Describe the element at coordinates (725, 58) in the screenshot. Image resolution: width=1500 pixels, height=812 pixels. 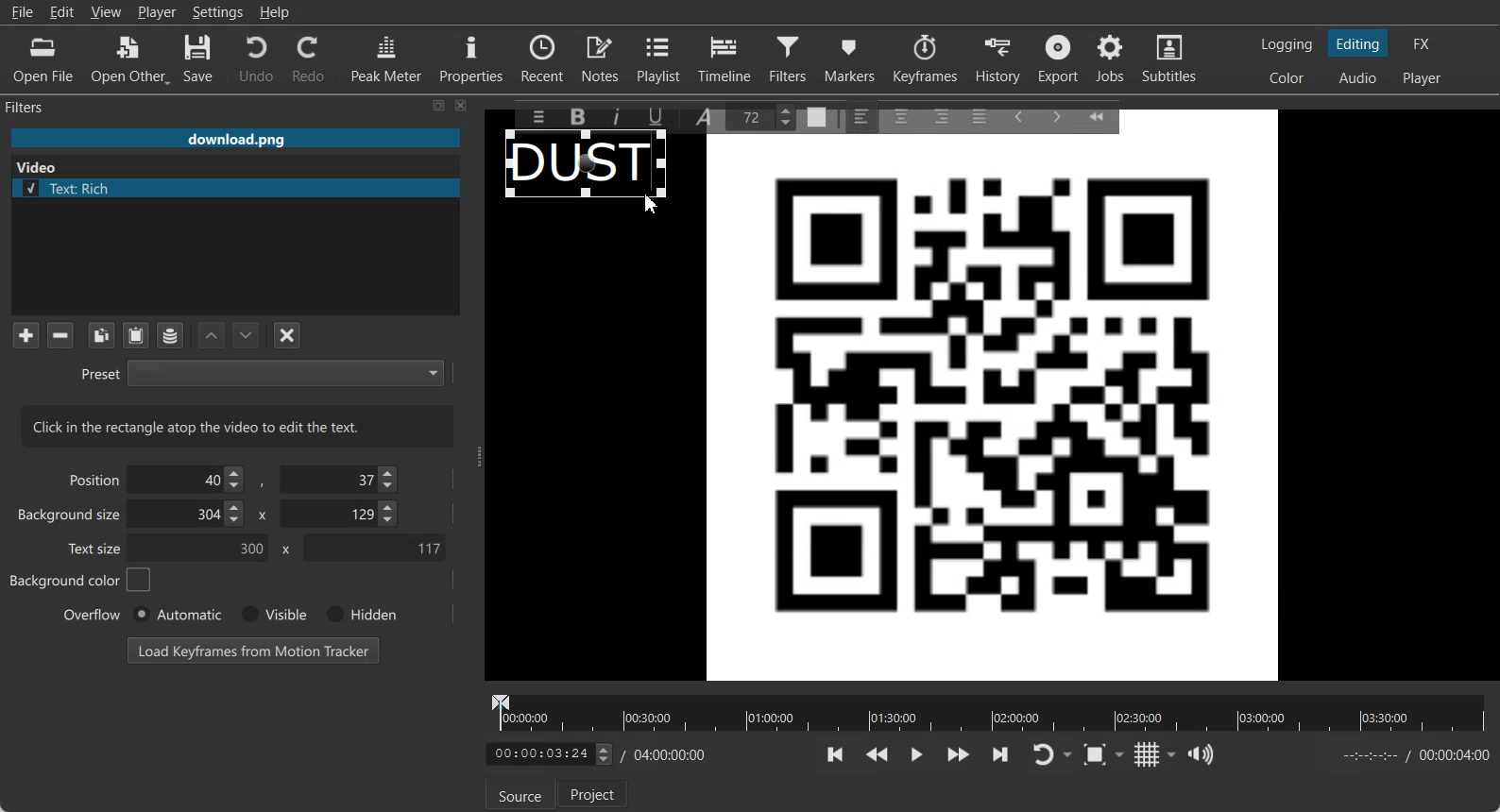
I see `Timeline` at that location.